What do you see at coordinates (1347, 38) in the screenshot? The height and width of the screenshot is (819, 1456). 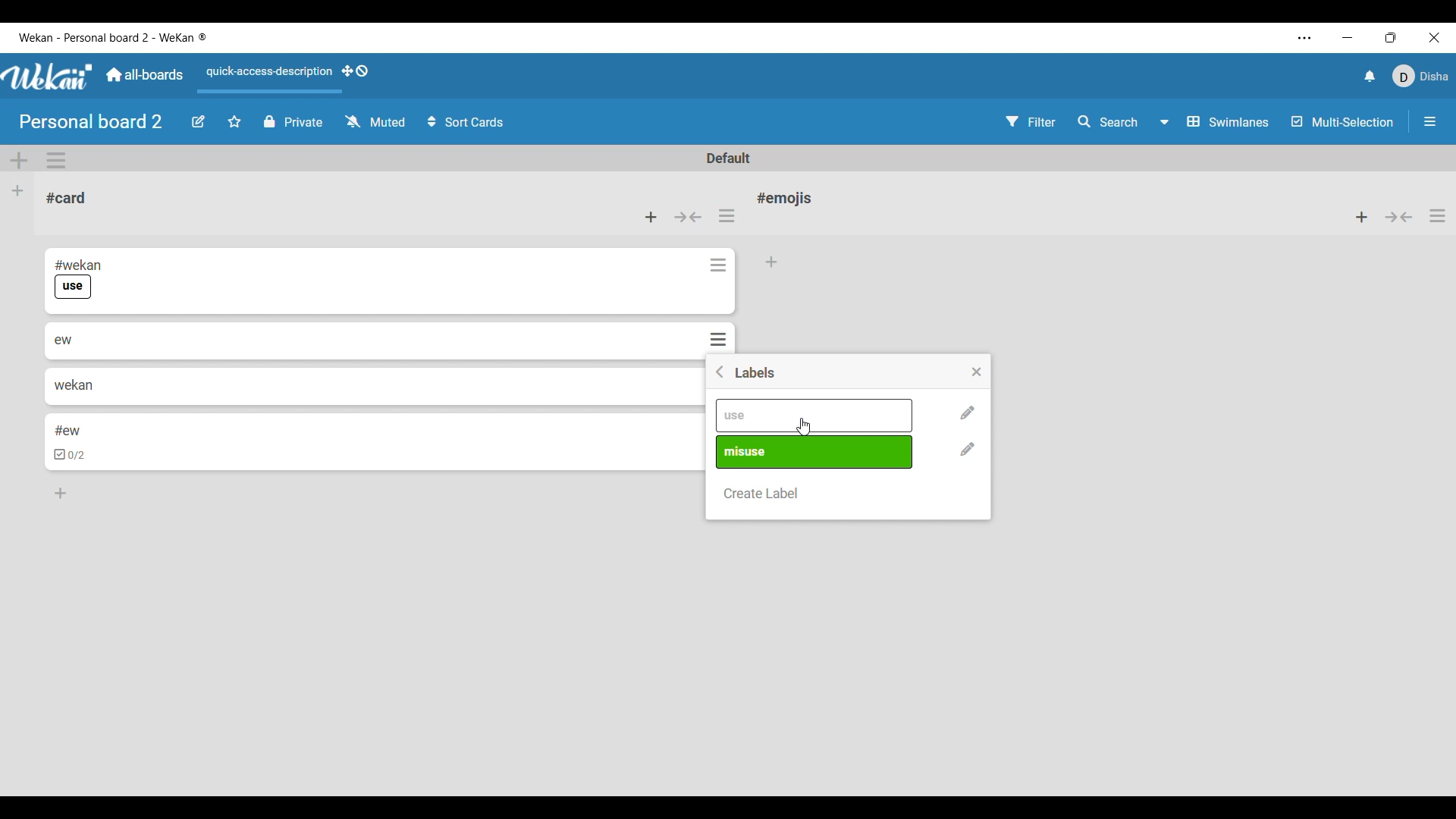 I see `Minimize` at bounding box center [1347, 38].